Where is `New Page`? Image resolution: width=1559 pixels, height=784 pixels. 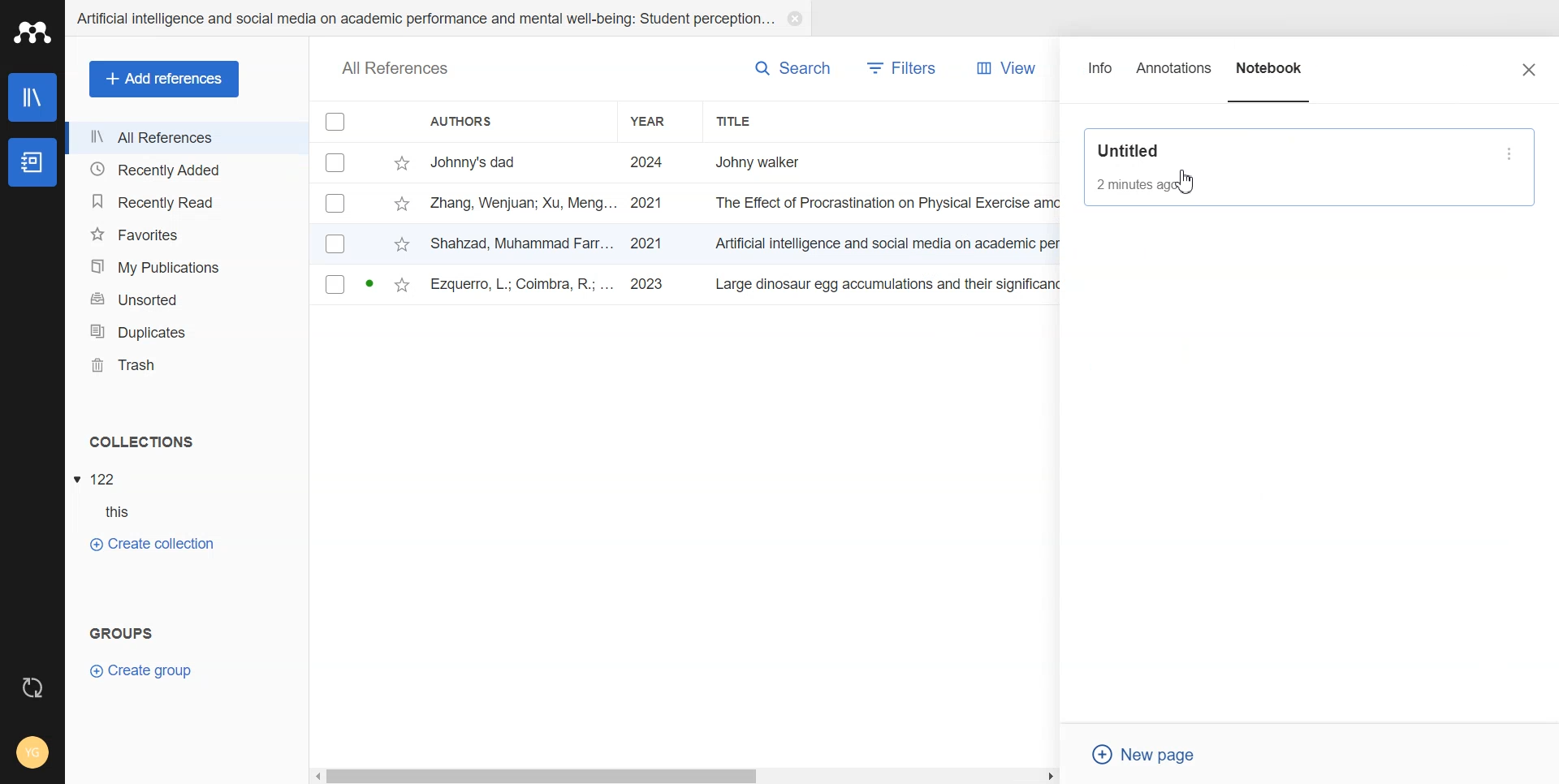 New Page is located at coordinates (1151, 755).